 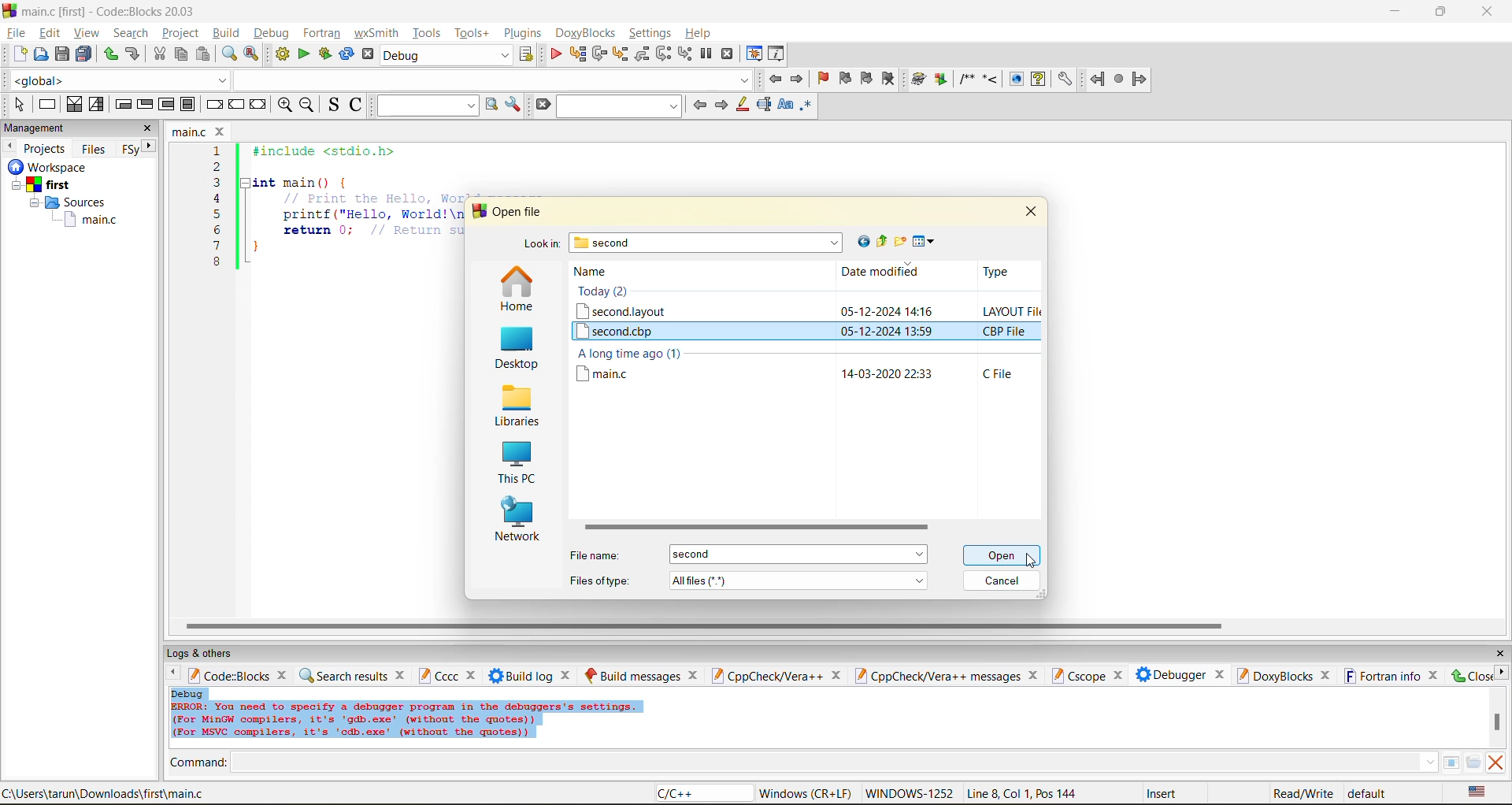 I want to click on global, so click(x=117, y=80).